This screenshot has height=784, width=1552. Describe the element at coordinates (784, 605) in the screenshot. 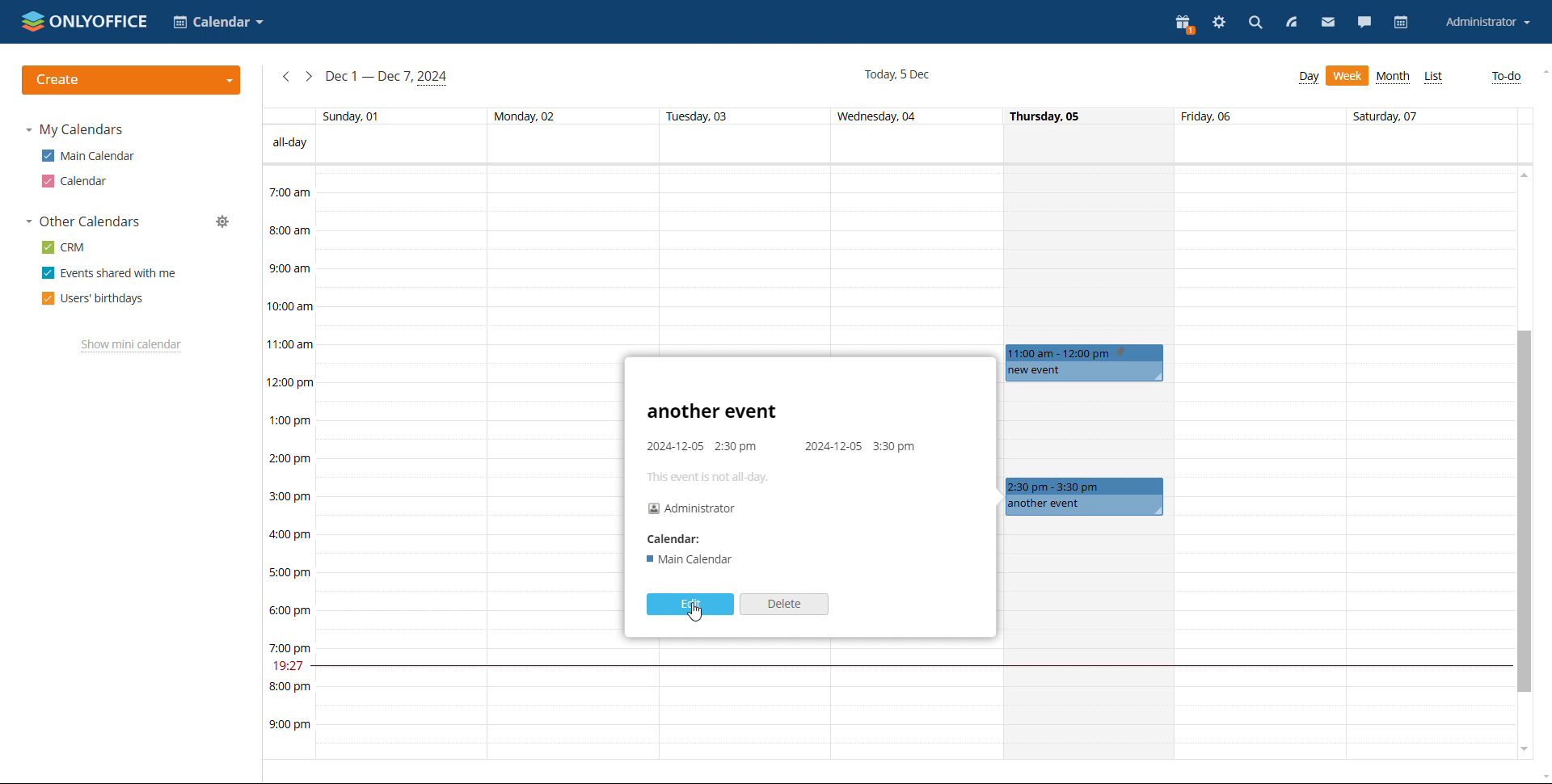

I see `delete` at that location.